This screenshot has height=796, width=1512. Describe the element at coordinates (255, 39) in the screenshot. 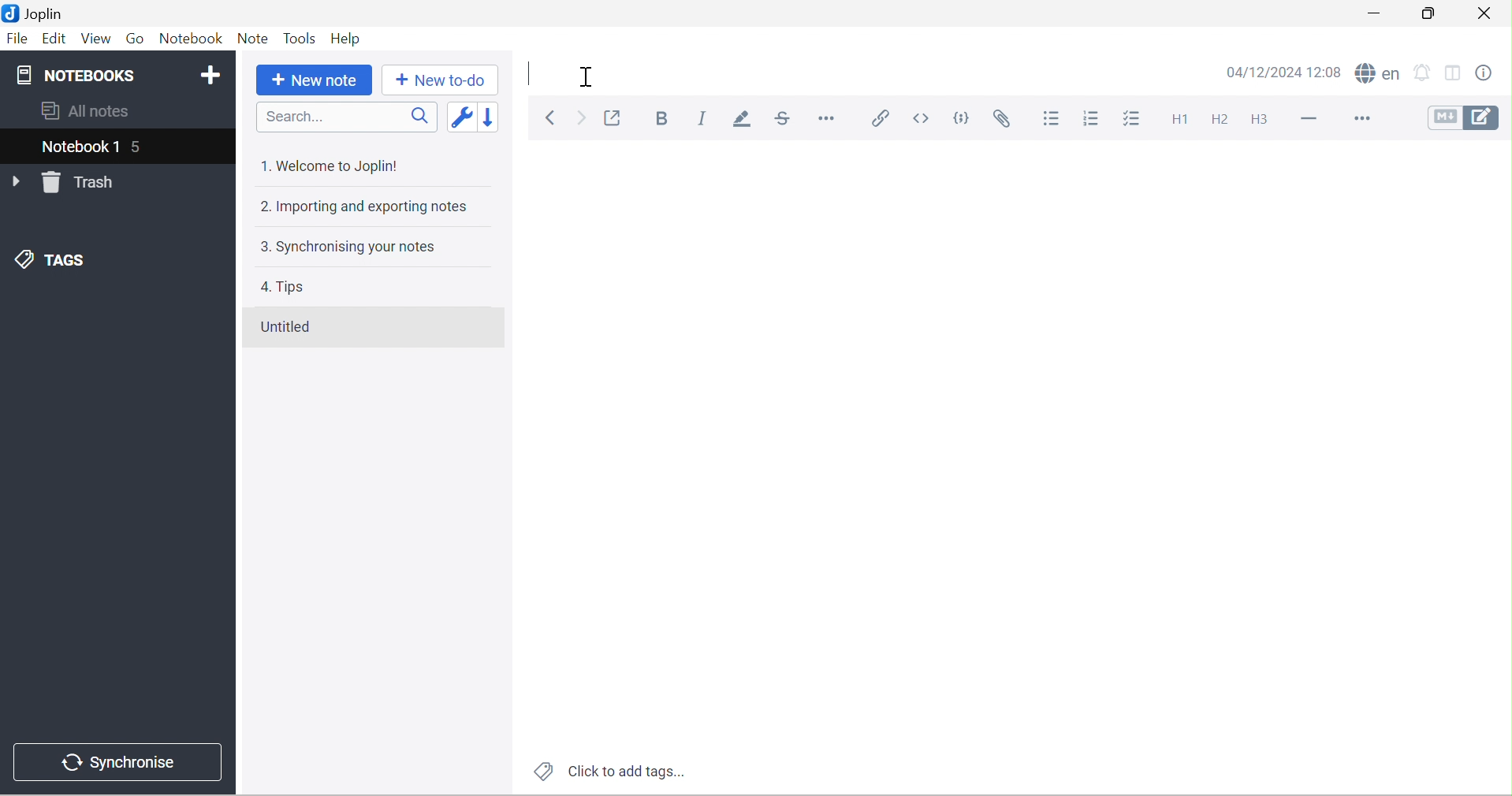

I see `Note` at that location.